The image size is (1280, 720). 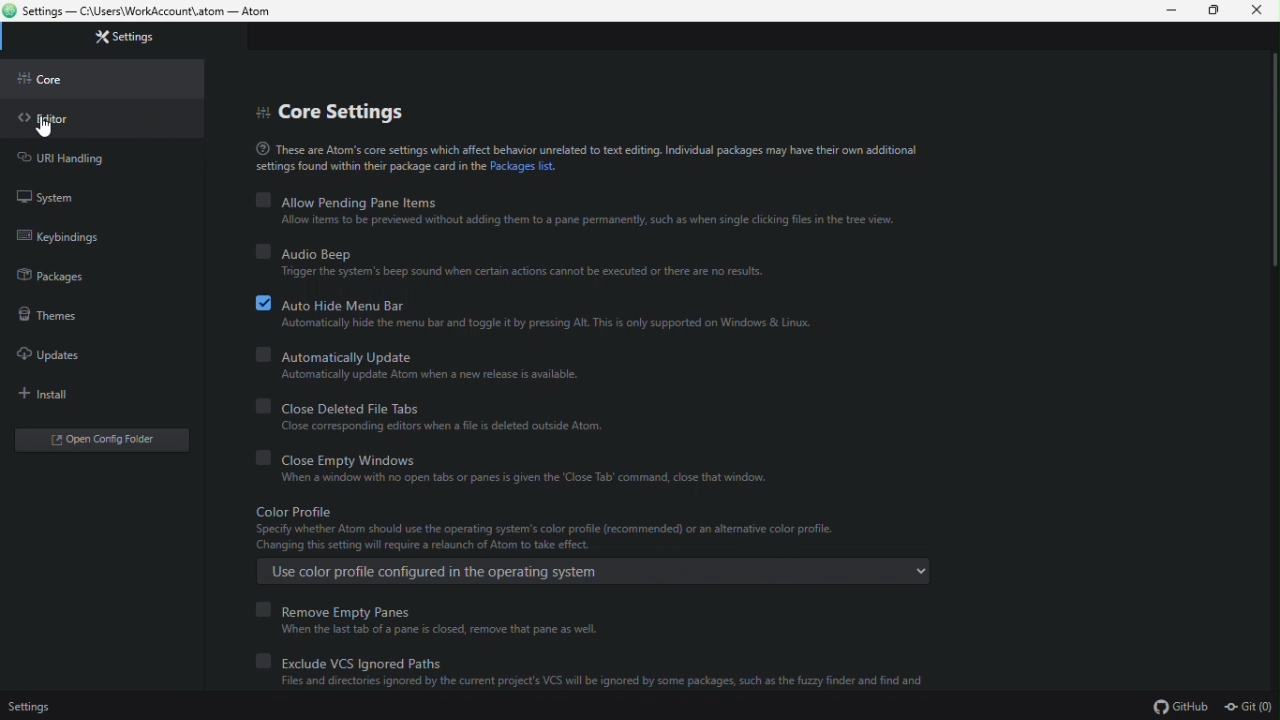 What do you see at coordinates (582, 222) in the screenshot?
I see `Allow items to be previewed without adding them to a pane permanently, such as when single clicking files in the tree view.` at bounding box center [582, 222].